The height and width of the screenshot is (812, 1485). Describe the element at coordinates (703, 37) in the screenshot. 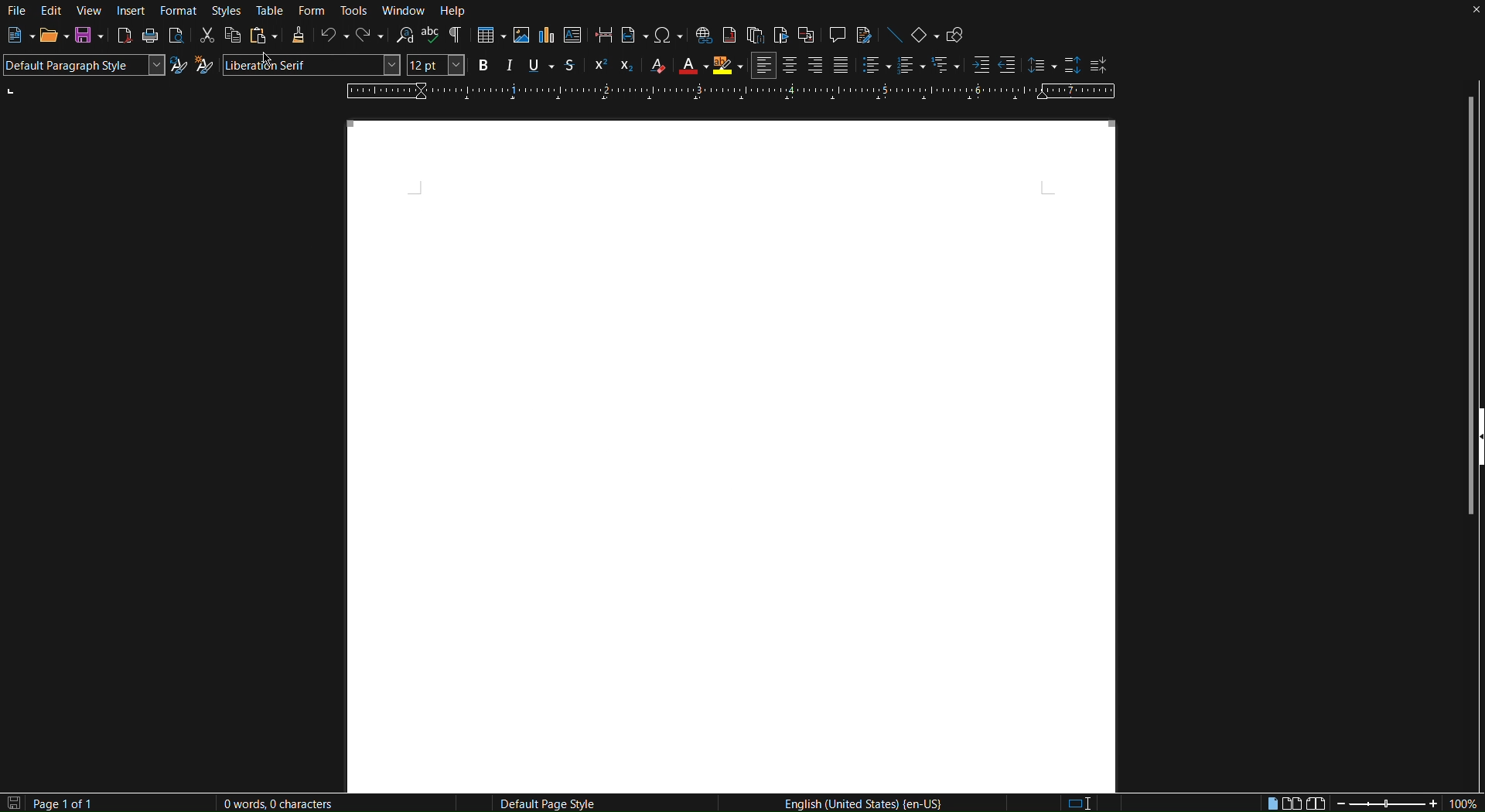

I see `Insert Hyperlink` at that location.